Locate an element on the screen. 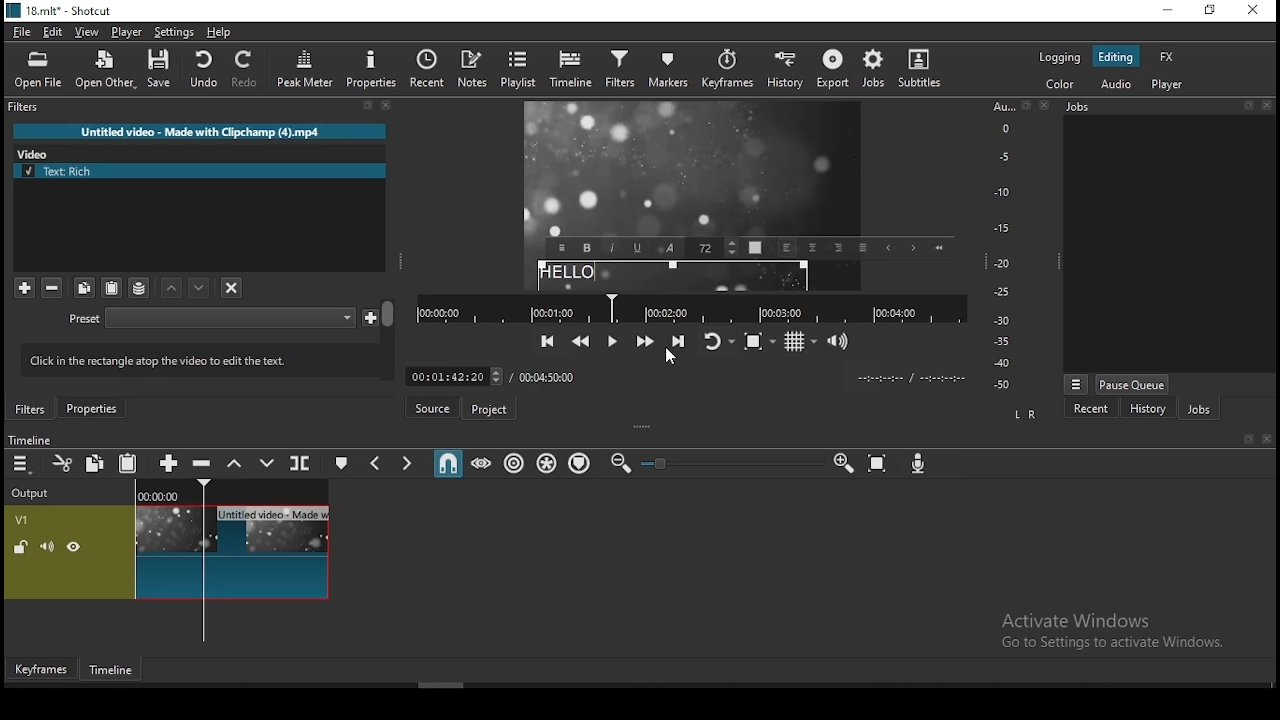  settings is located at coordinates (173, 33).